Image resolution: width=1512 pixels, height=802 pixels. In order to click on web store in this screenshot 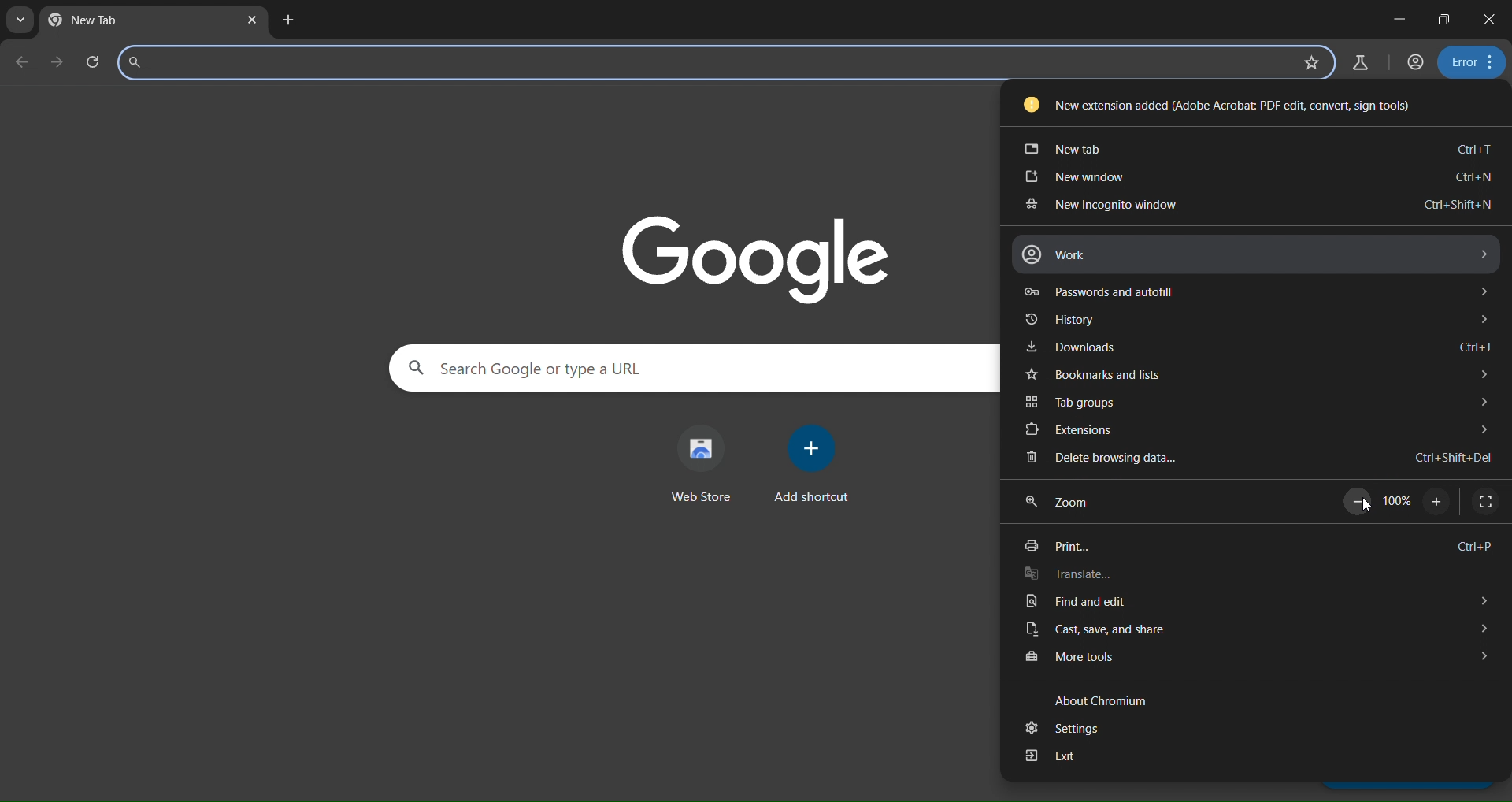, I will do `click(702, 462)`.